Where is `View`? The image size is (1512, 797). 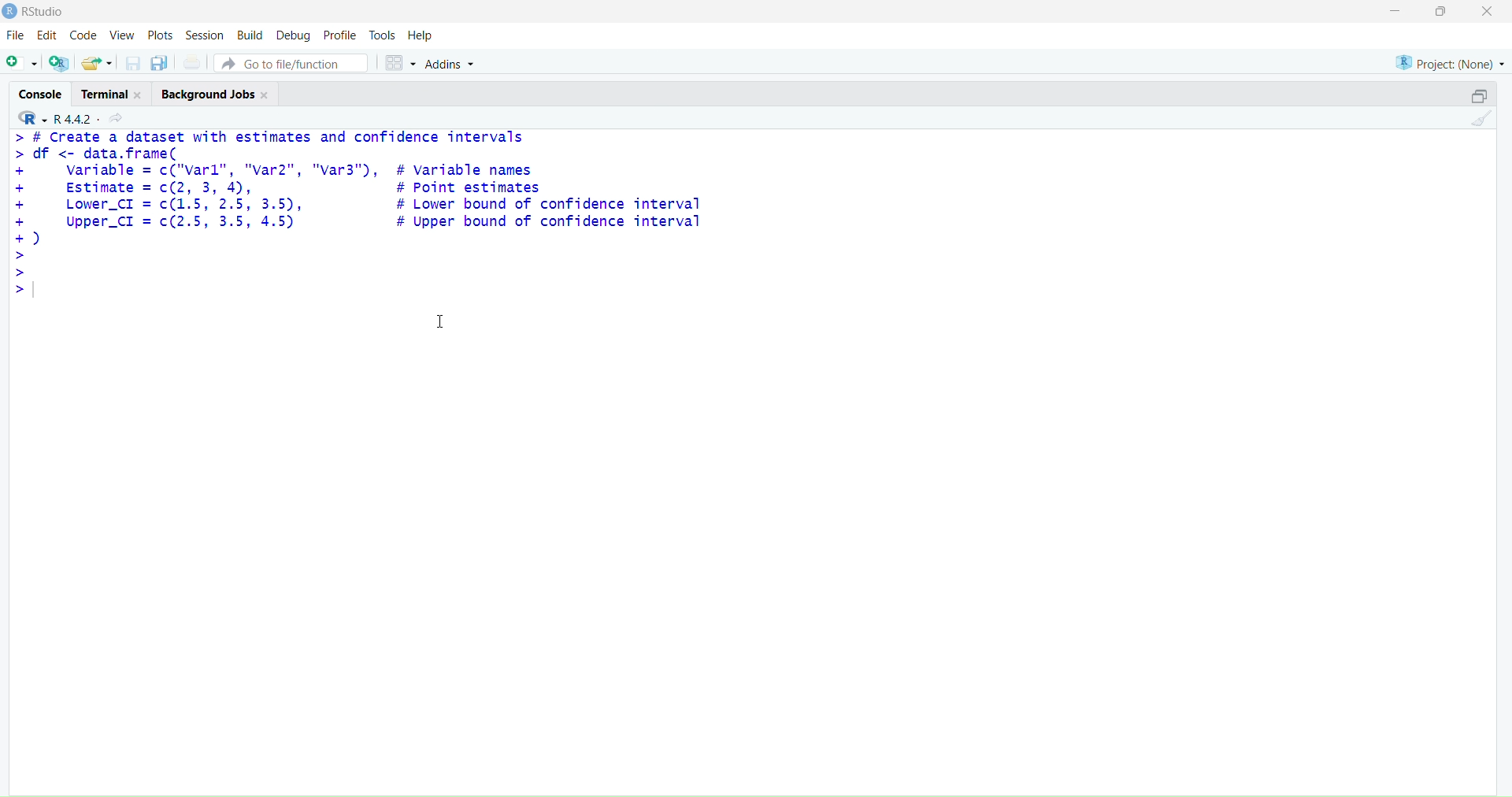
View is located at coordinates (121, 35).